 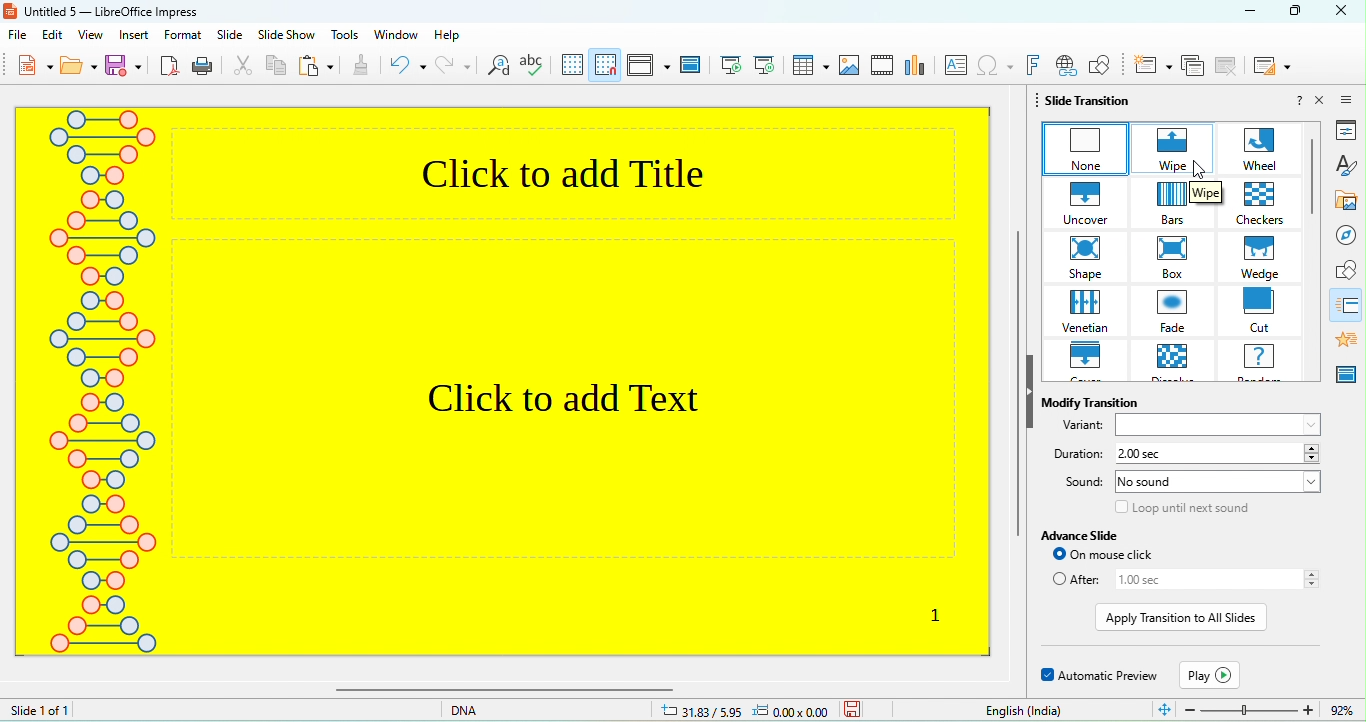 I want to click on 0.00x0.00, so click(x=796, y=710).